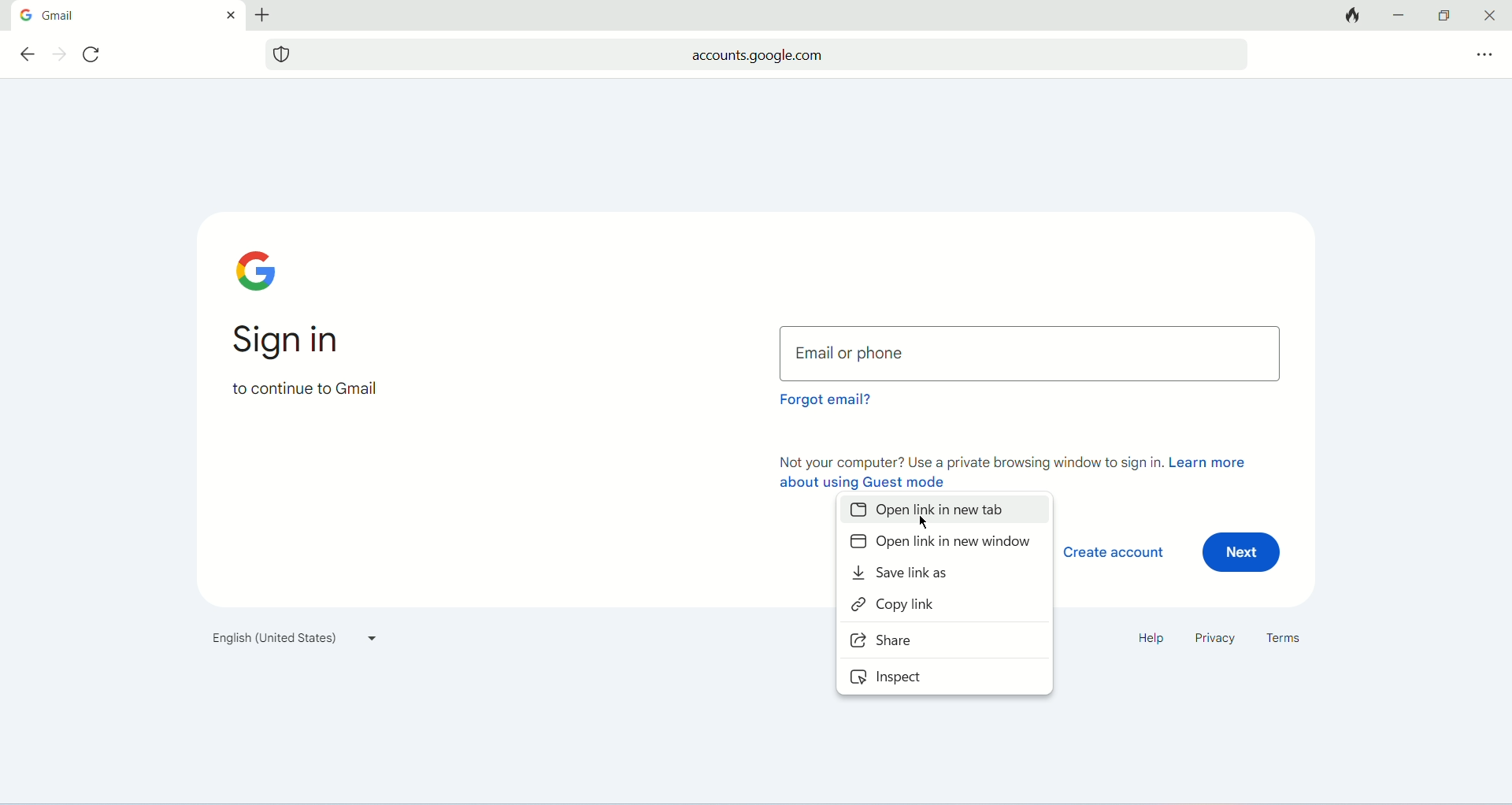 Image resolution: width=1512 pixels, height=805 pixels. I want to click on inspect, so click(890, 676).